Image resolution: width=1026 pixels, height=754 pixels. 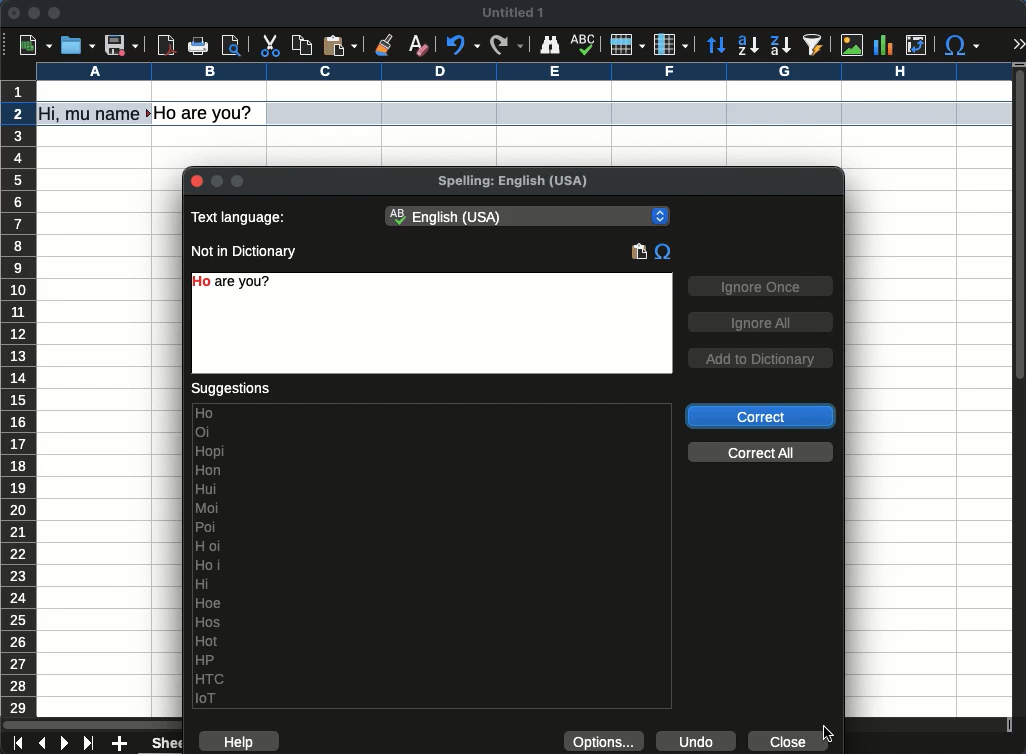 I want to click on new, so click(x=35, y=46).